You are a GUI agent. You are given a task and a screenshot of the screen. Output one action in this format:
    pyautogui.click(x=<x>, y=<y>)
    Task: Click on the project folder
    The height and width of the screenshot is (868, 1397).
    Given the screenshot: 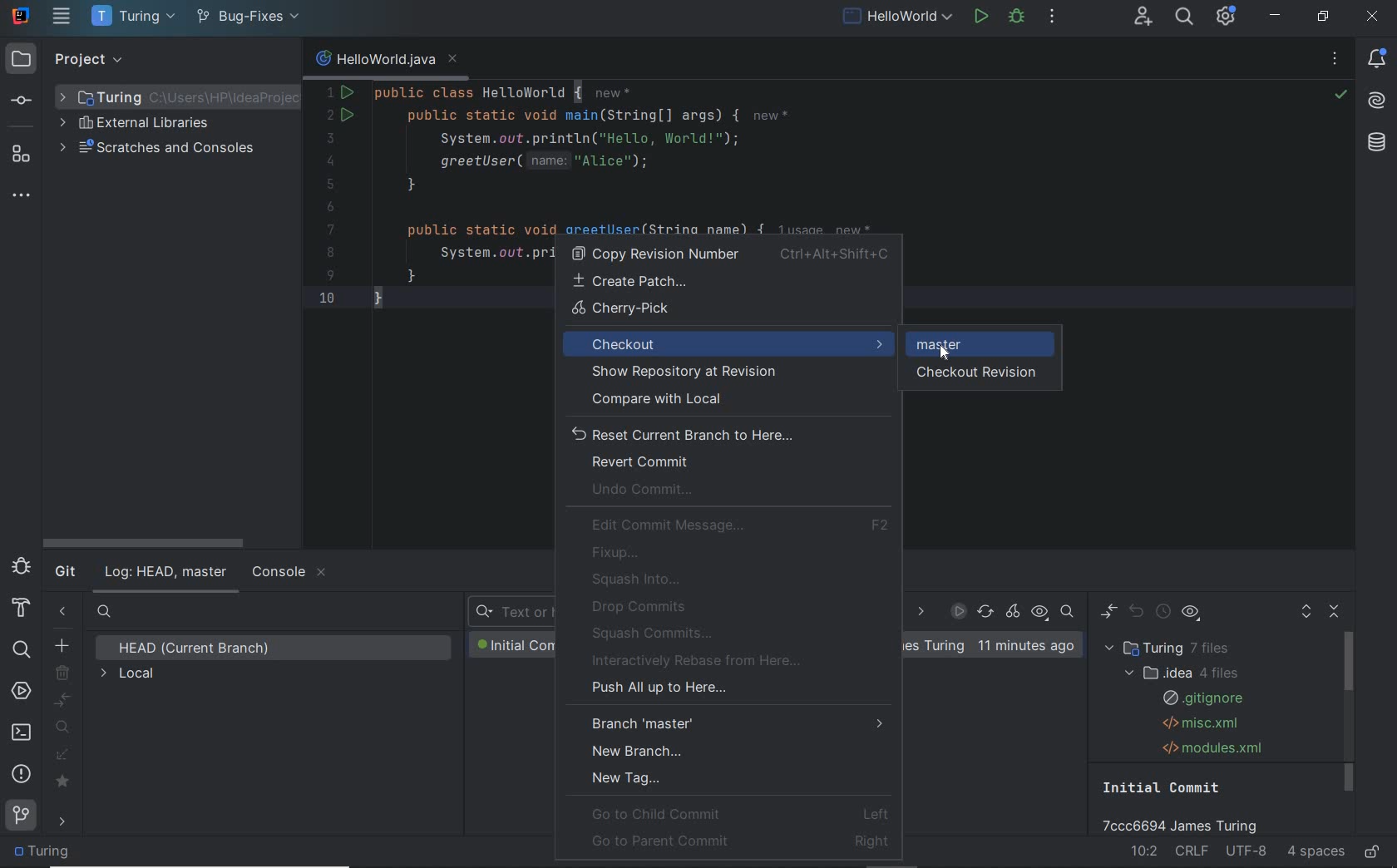 What is the action you would take?
    pyautogui.click(x=46, y=852)
    